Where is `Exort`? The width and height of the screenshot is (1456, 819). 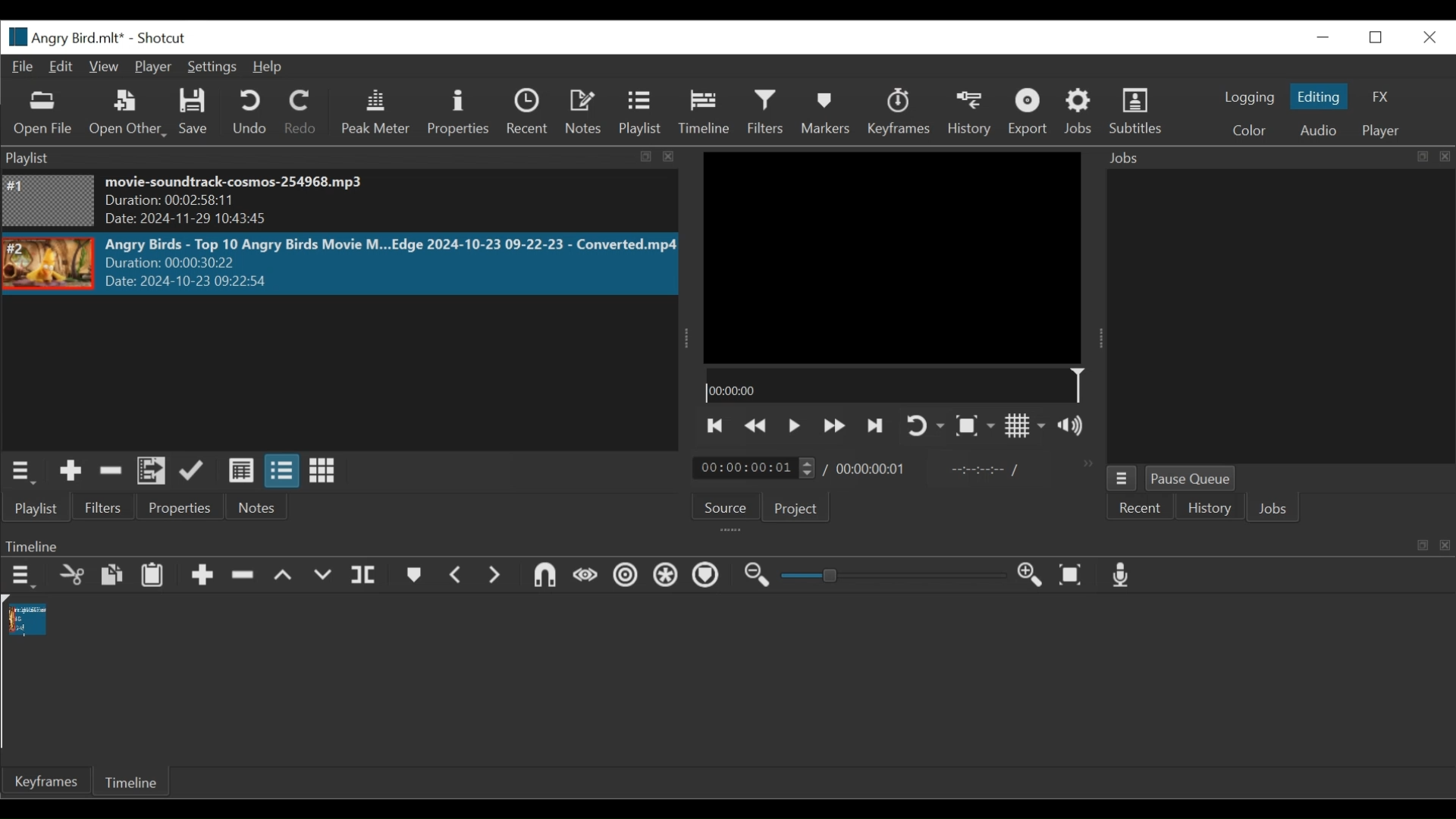
Exort is located at coordinates (1030, 113).